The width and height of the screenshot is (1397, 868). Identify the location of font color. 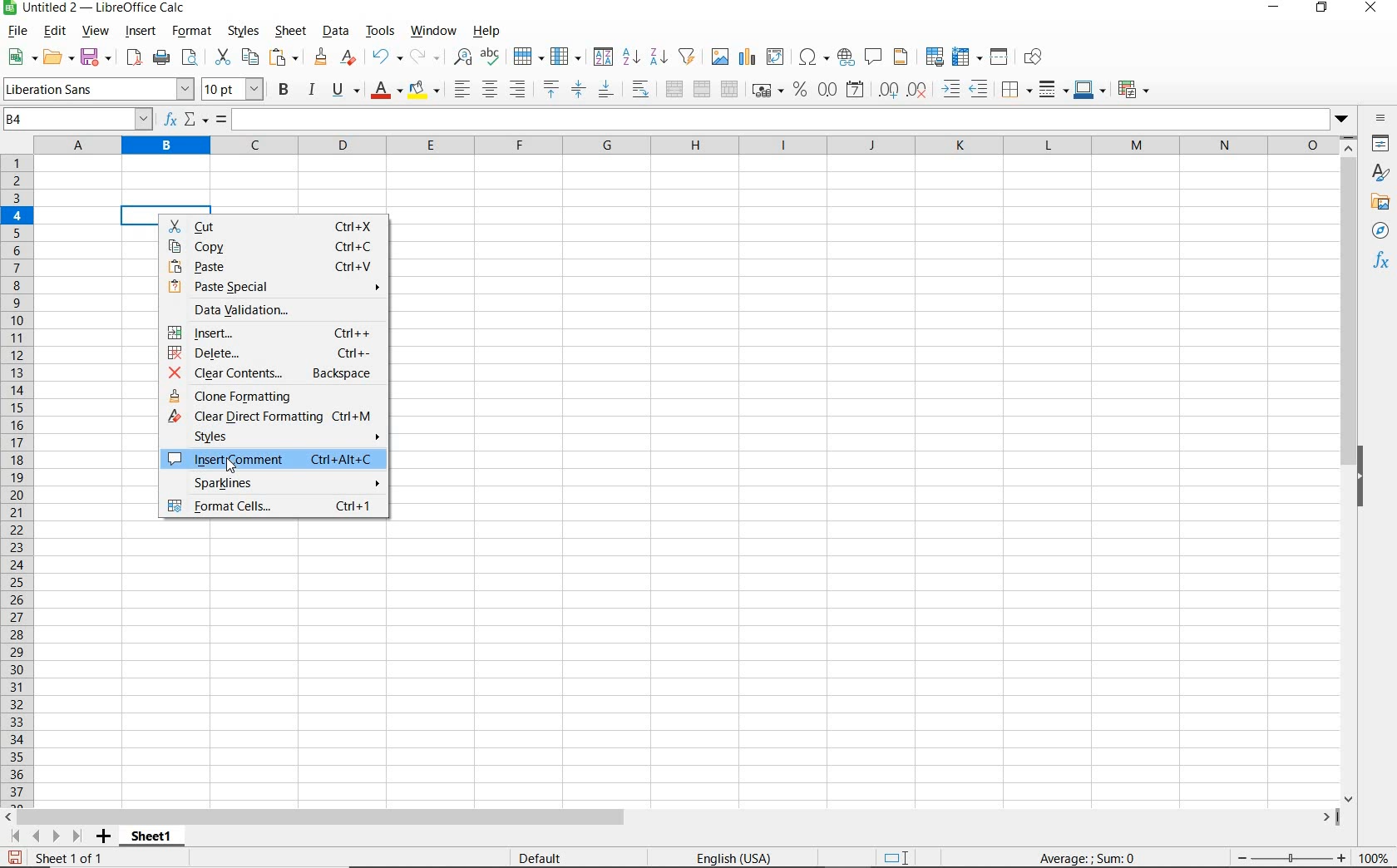
(387, 92).